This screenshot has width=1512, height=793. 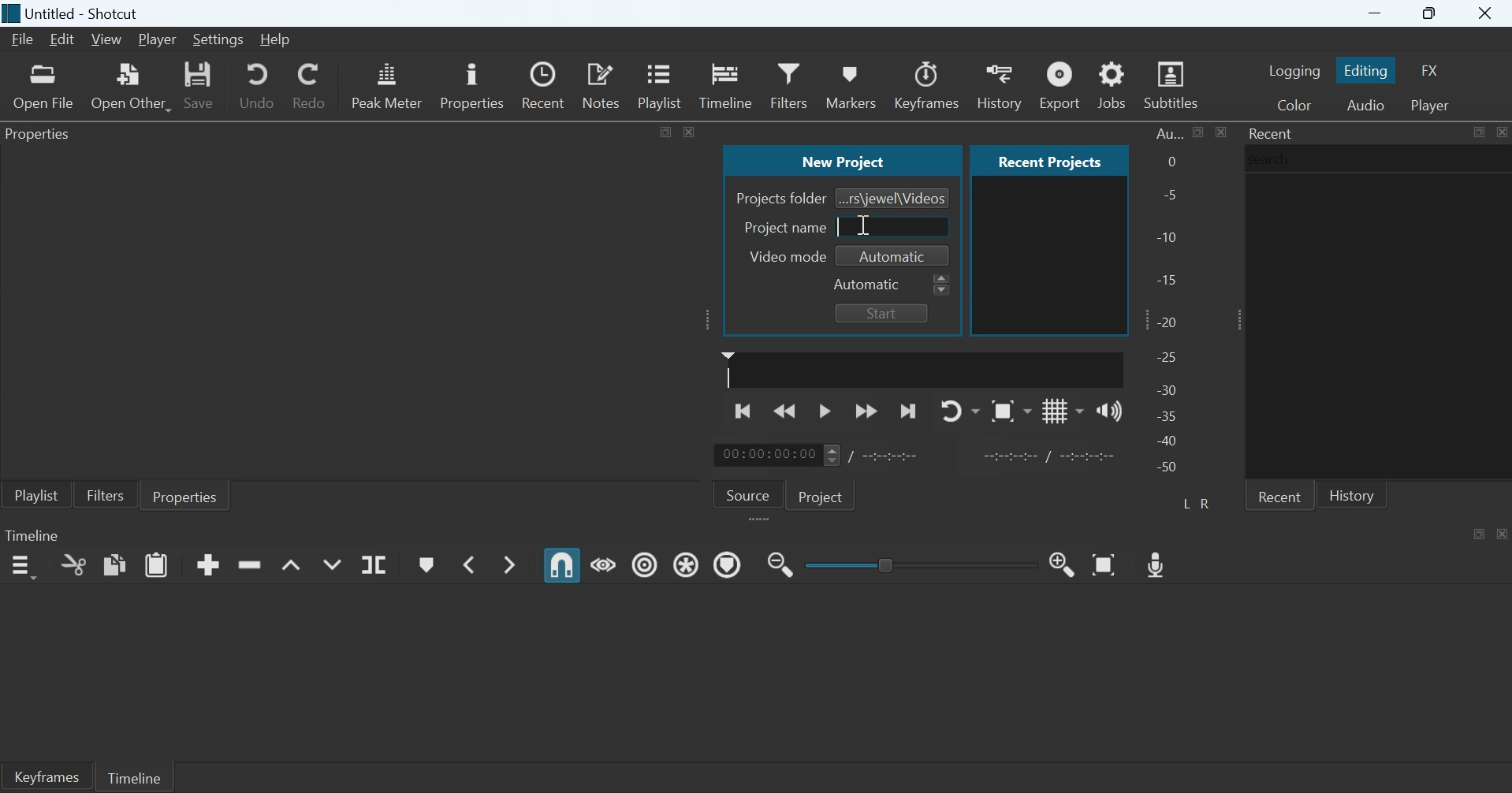 I want to click on Previous marker, so click(x=467, y=564).